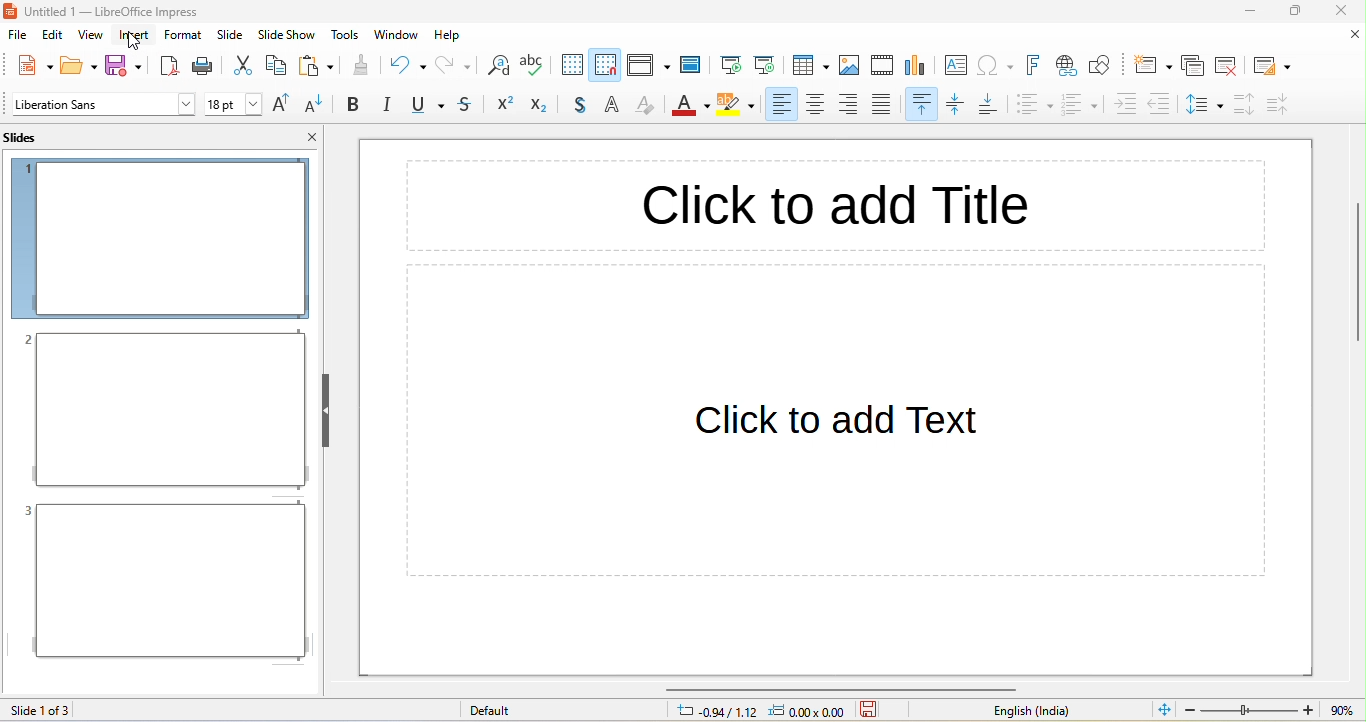 The image size is (1366, 722). What do you see at coordinates (1040, 711) in the screenshot?
I see `text language` at bounding box center [1040, 711].